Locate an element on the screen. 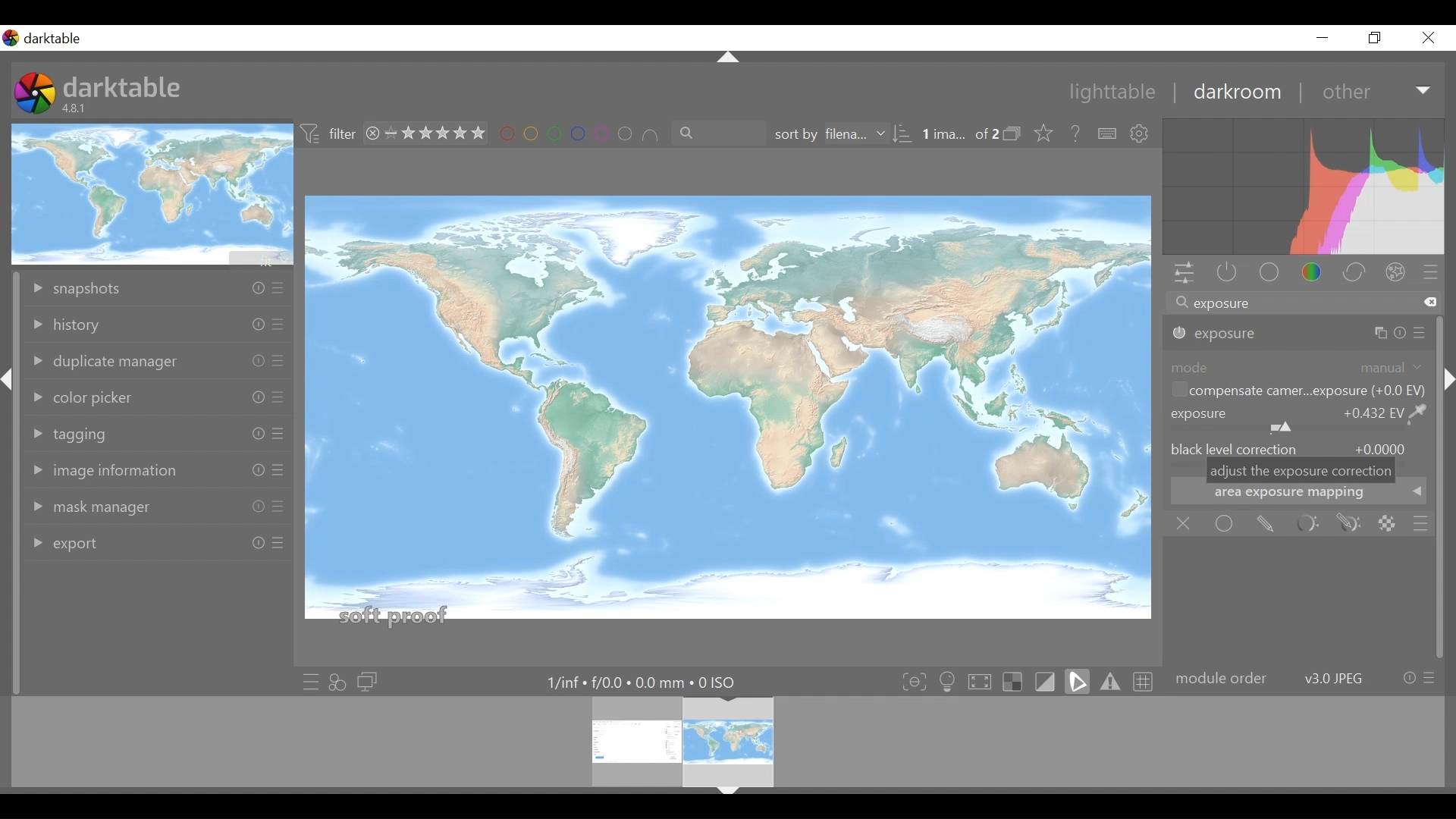 Image resolution: width=1456 pixels, height=819 pixels. parametric mask is located at coordinates (1307, 524).